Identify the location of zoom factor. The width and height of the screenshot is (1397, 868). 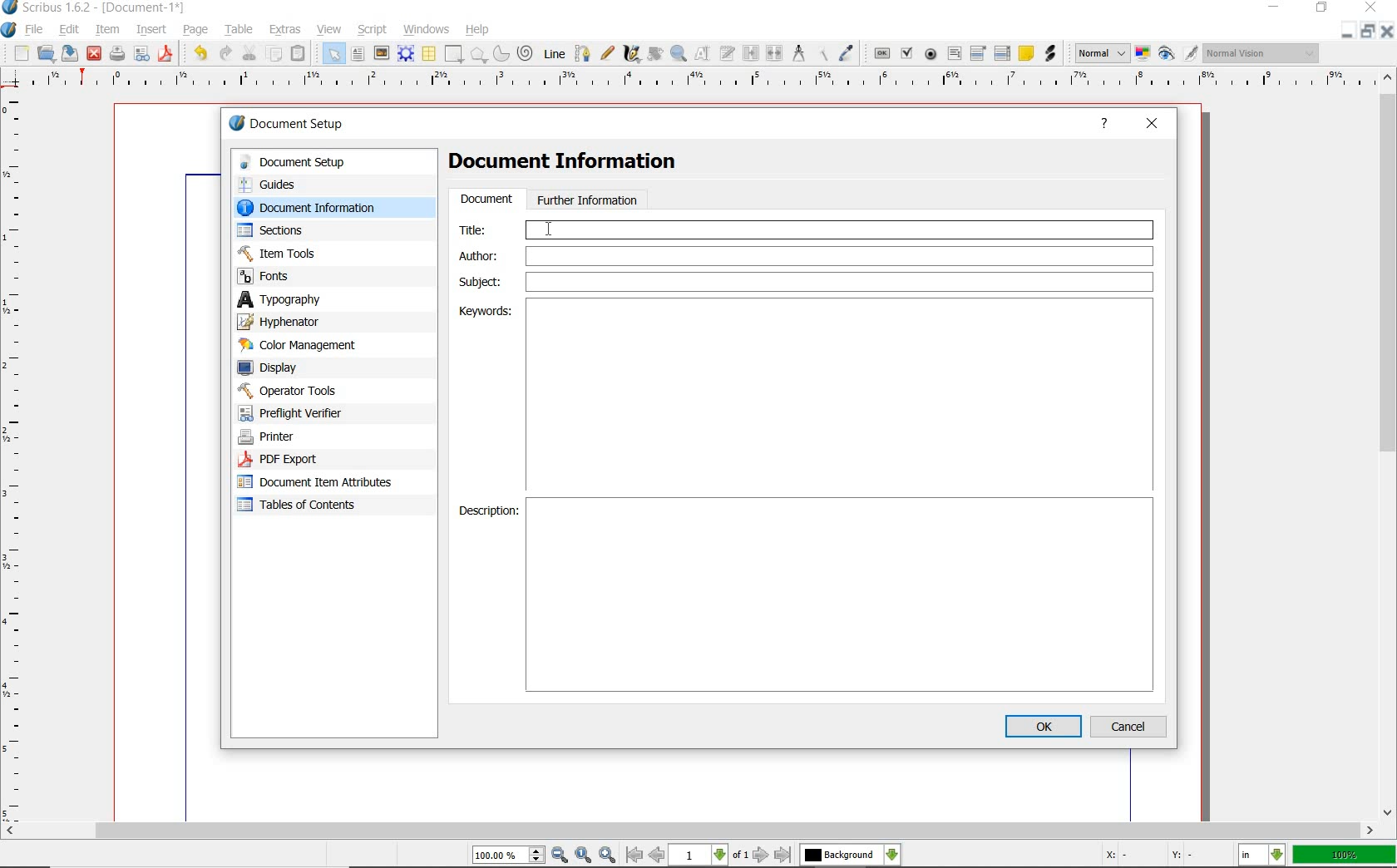
(1343, 856).